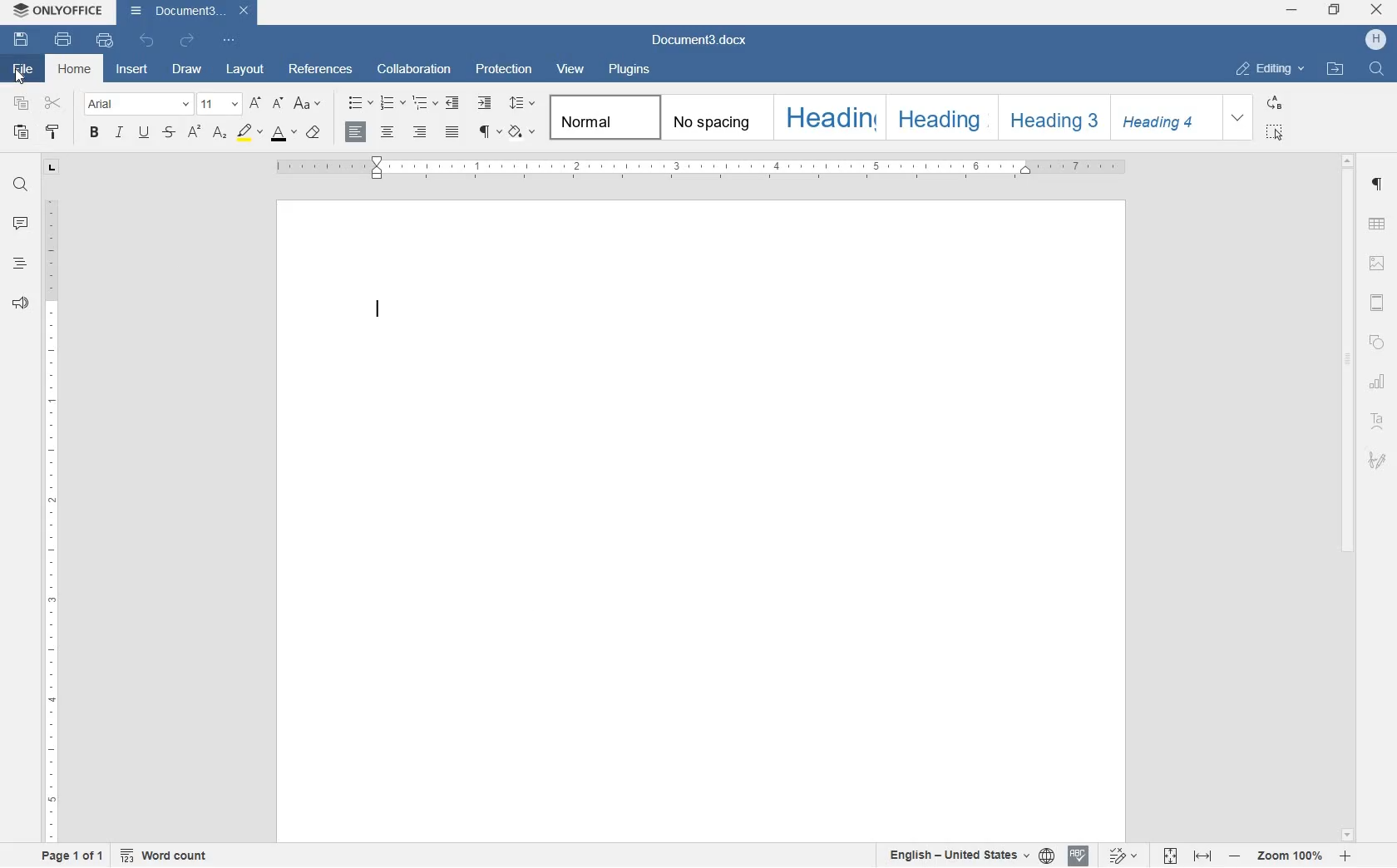 This screenshot has width=1397, height=868. Describe the element at coordinates (452, 104) in the screenshot. I see `decrease indent` at that location.